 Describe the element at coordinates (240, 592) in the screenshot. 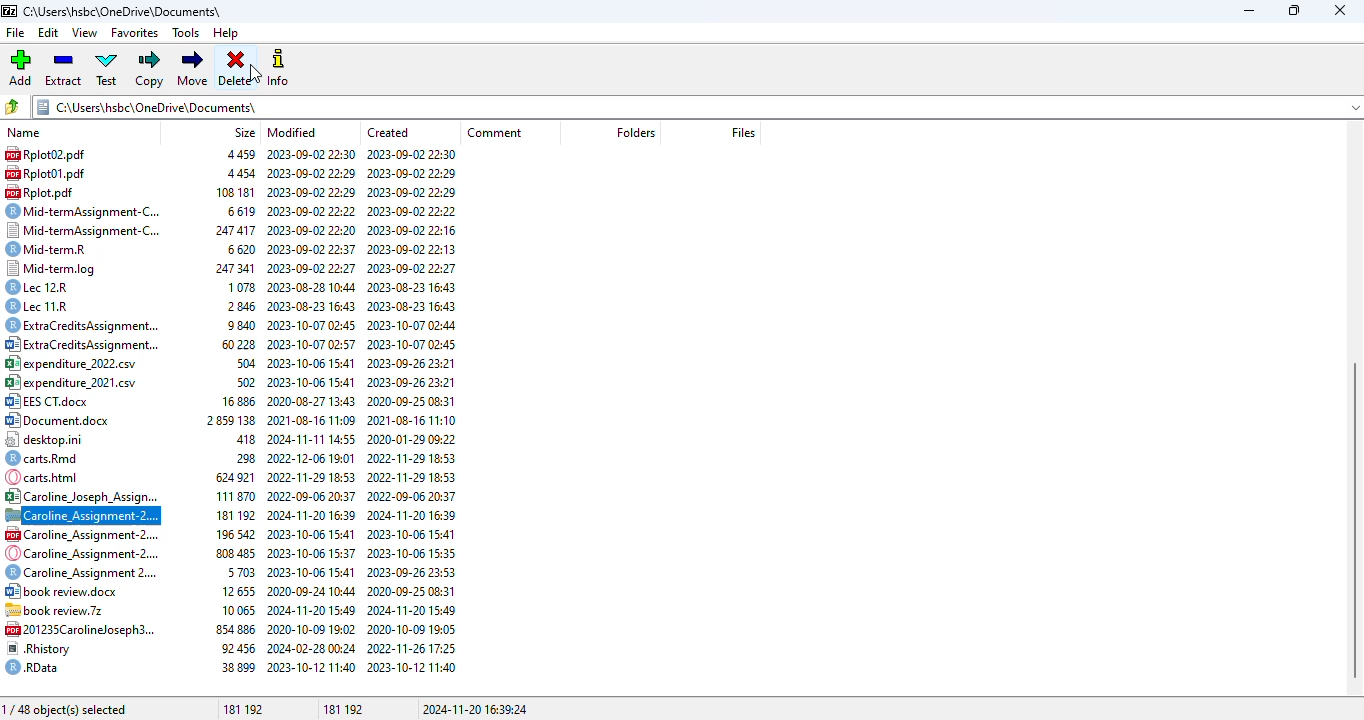

I see `12655` at that location.